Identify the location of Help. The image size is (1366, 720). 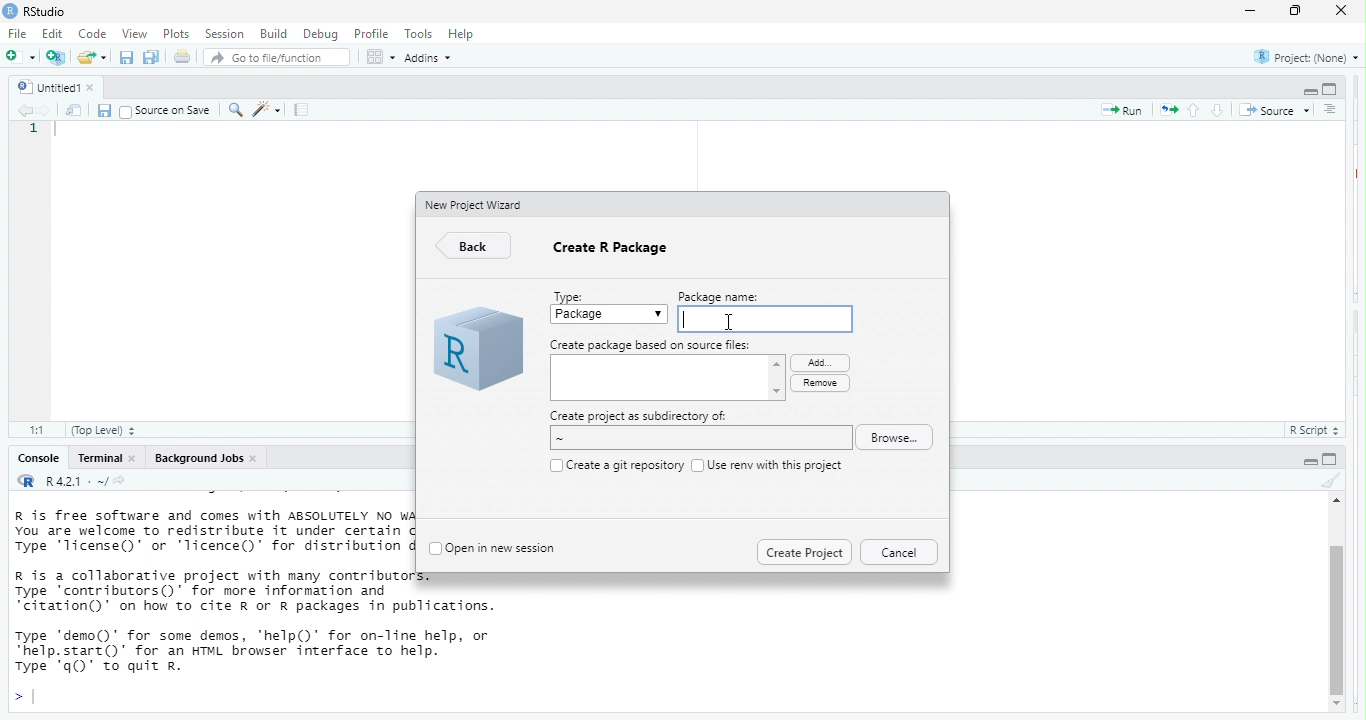
(463, 33).